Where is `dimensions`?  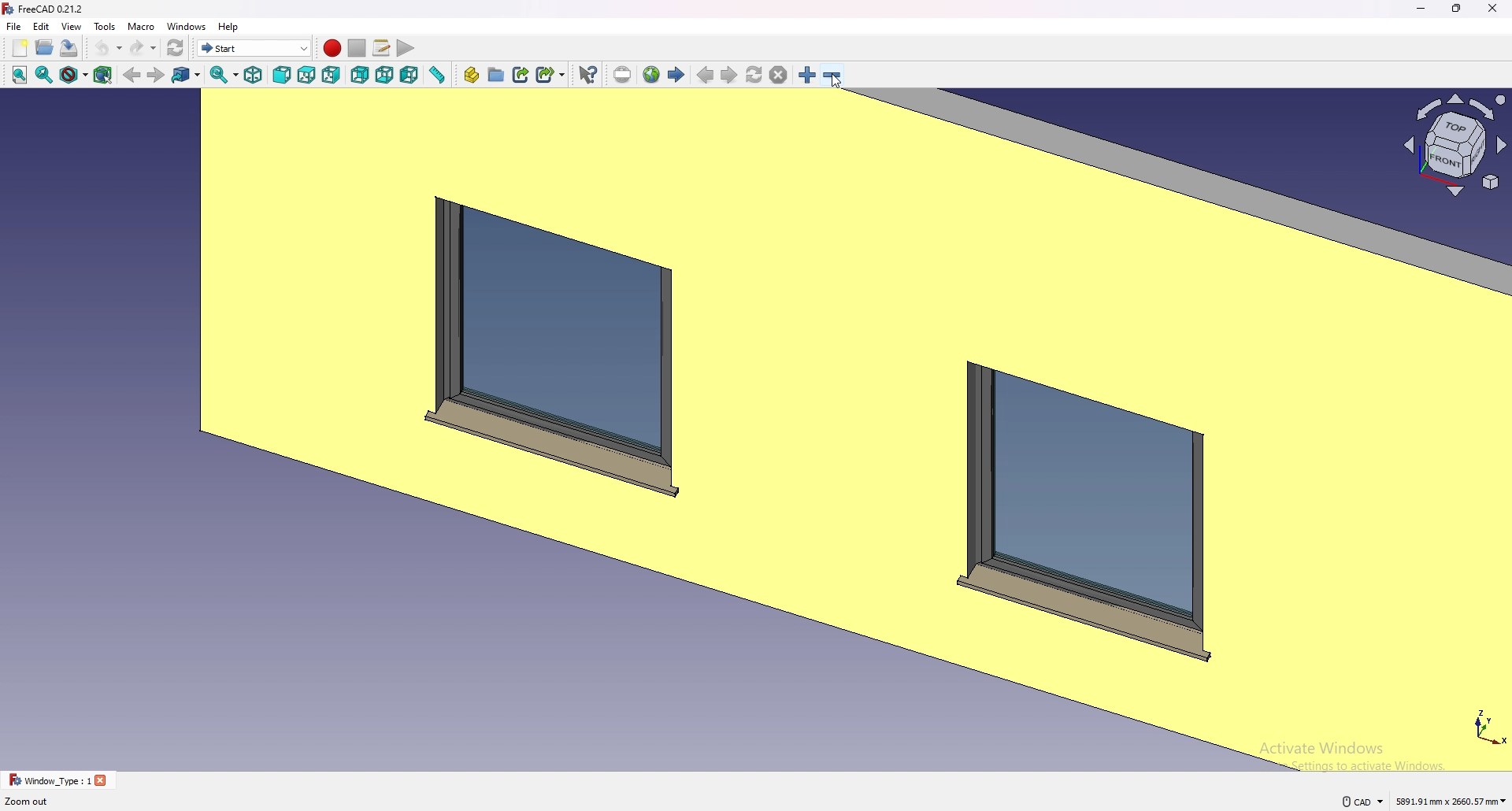
dimensions is located at coordinates (1452, 800).